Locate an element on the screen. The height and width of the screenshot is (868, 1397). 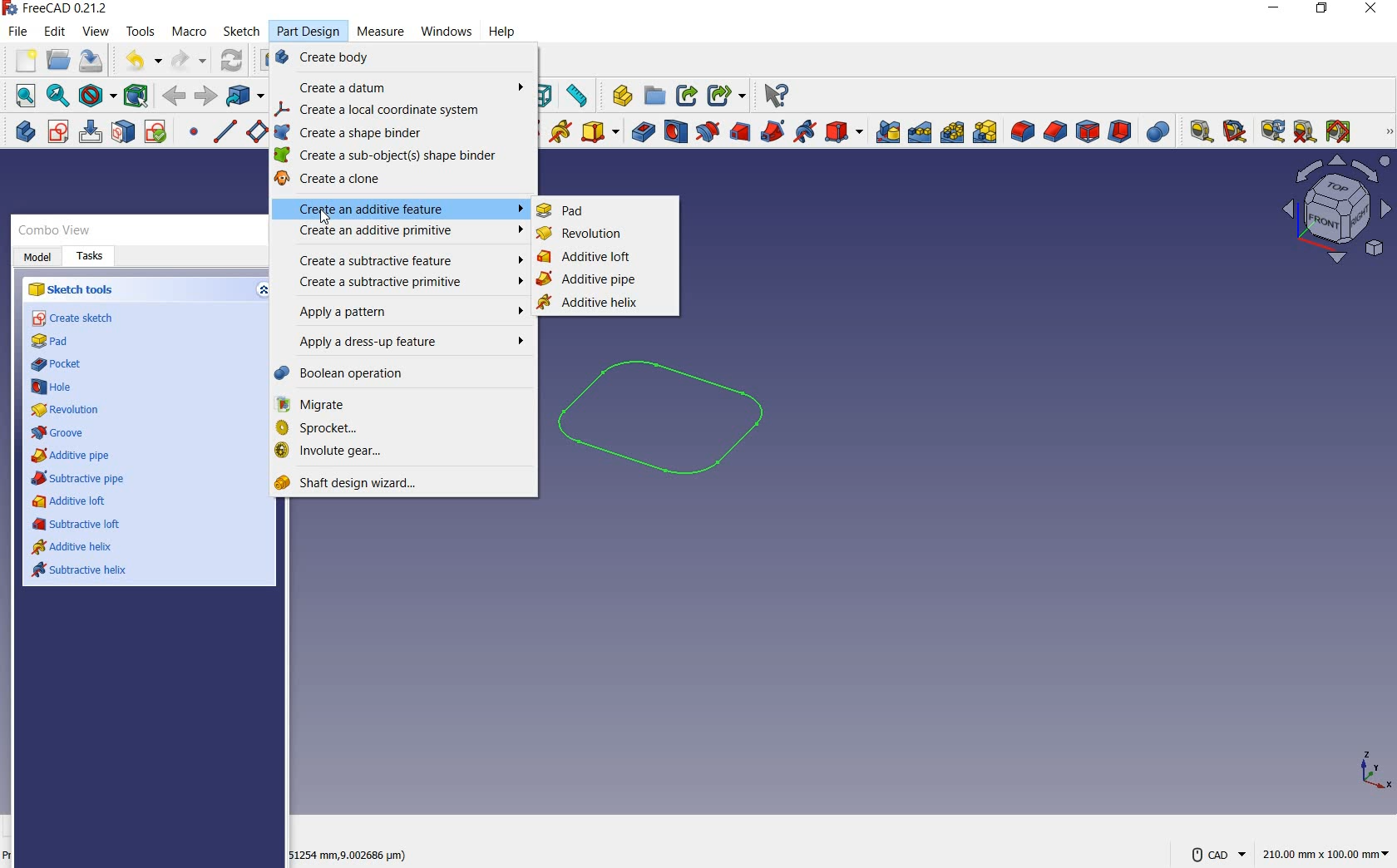
additive loft is located at coordinates (71, 501).